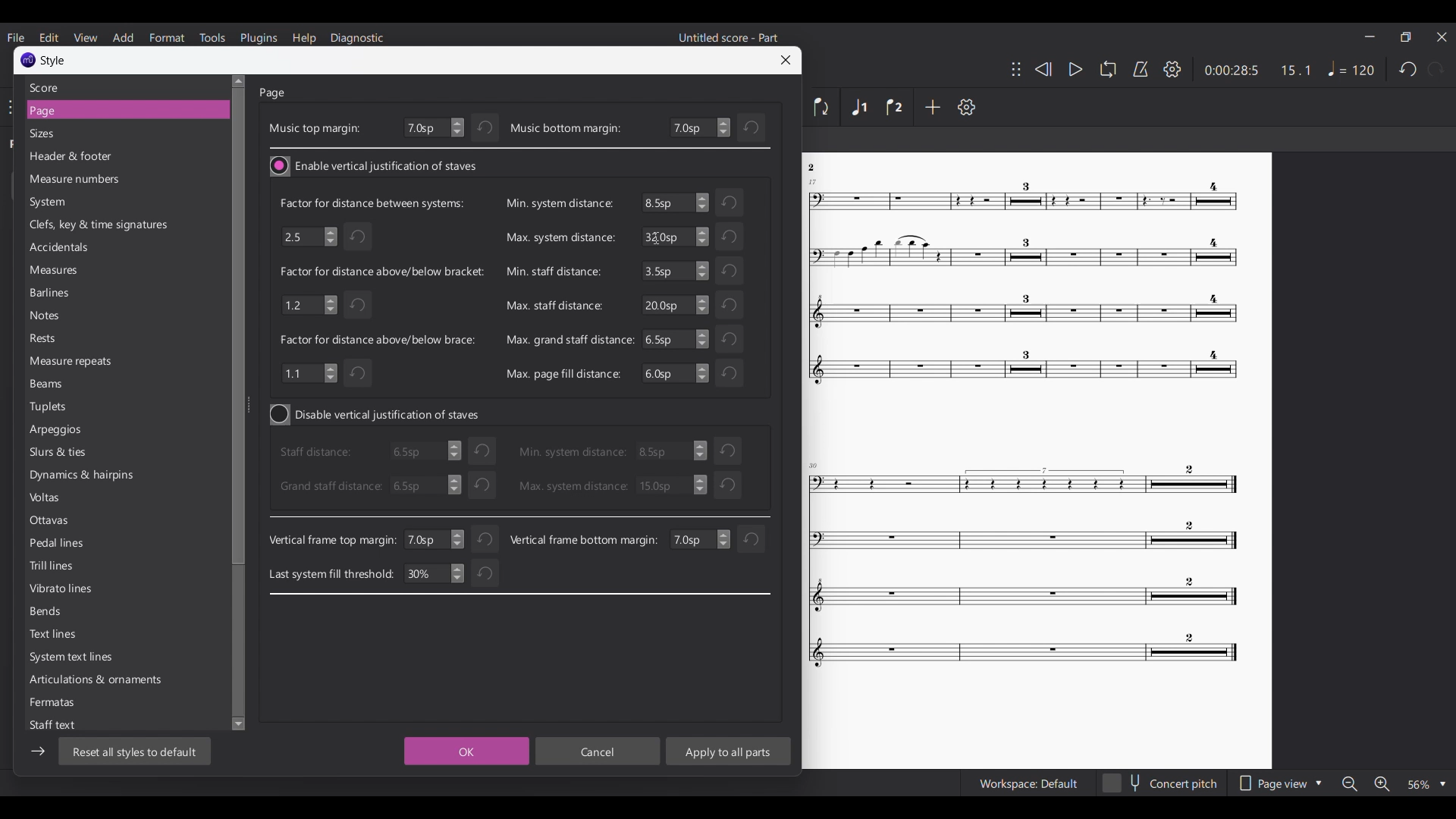 Image resolution: width=1456 pixels, height=819 pixels. Describe the element at coordinates (119, 87) in the screenshot. I see `Score` at that location.